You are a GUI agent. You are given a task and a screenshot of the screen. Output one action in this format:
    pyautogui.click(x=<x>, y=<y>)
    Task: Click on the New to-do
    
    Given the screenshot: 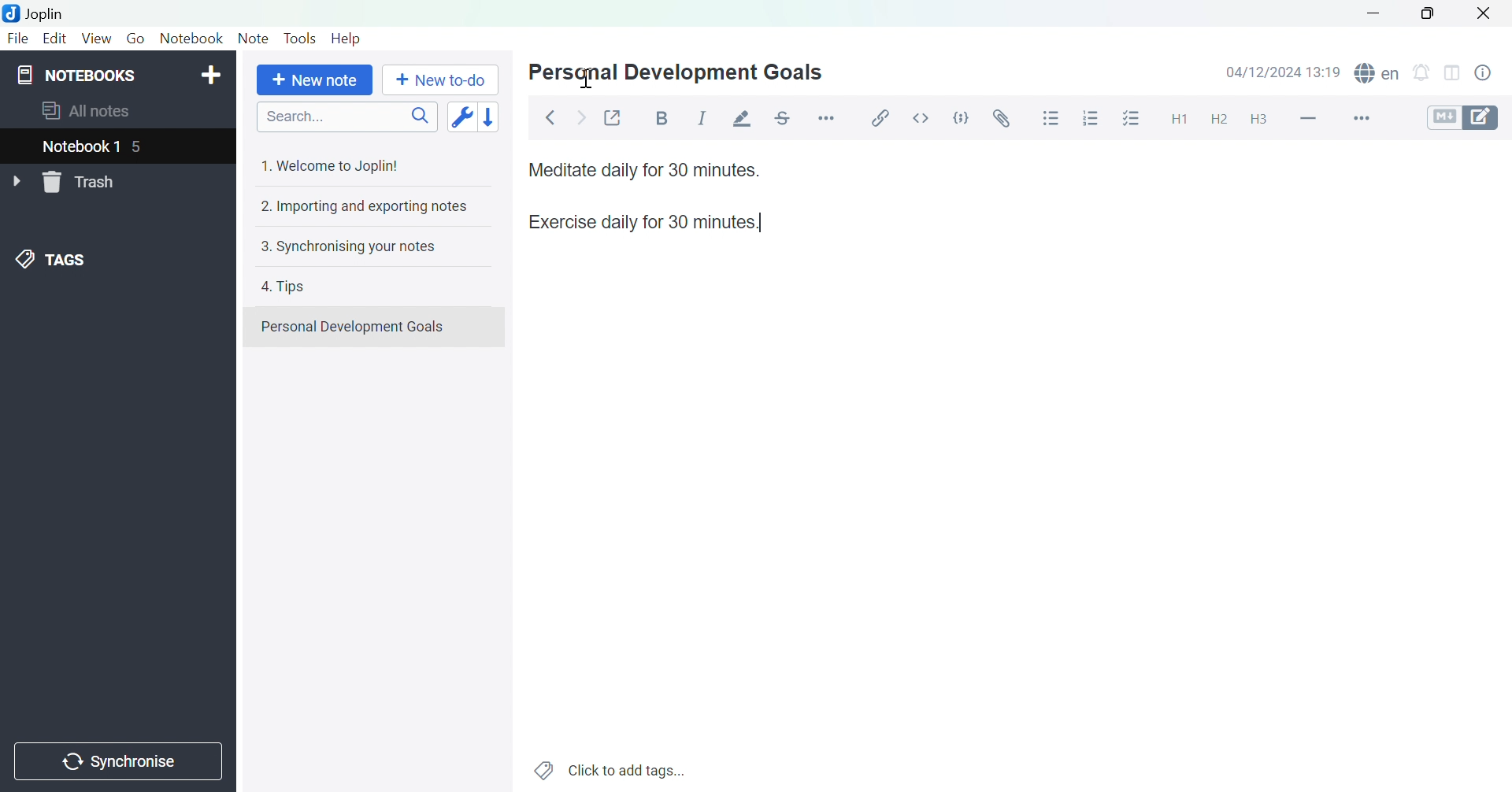 What is the action you would take?
    pyautogui.click(x=440, y=80)
    